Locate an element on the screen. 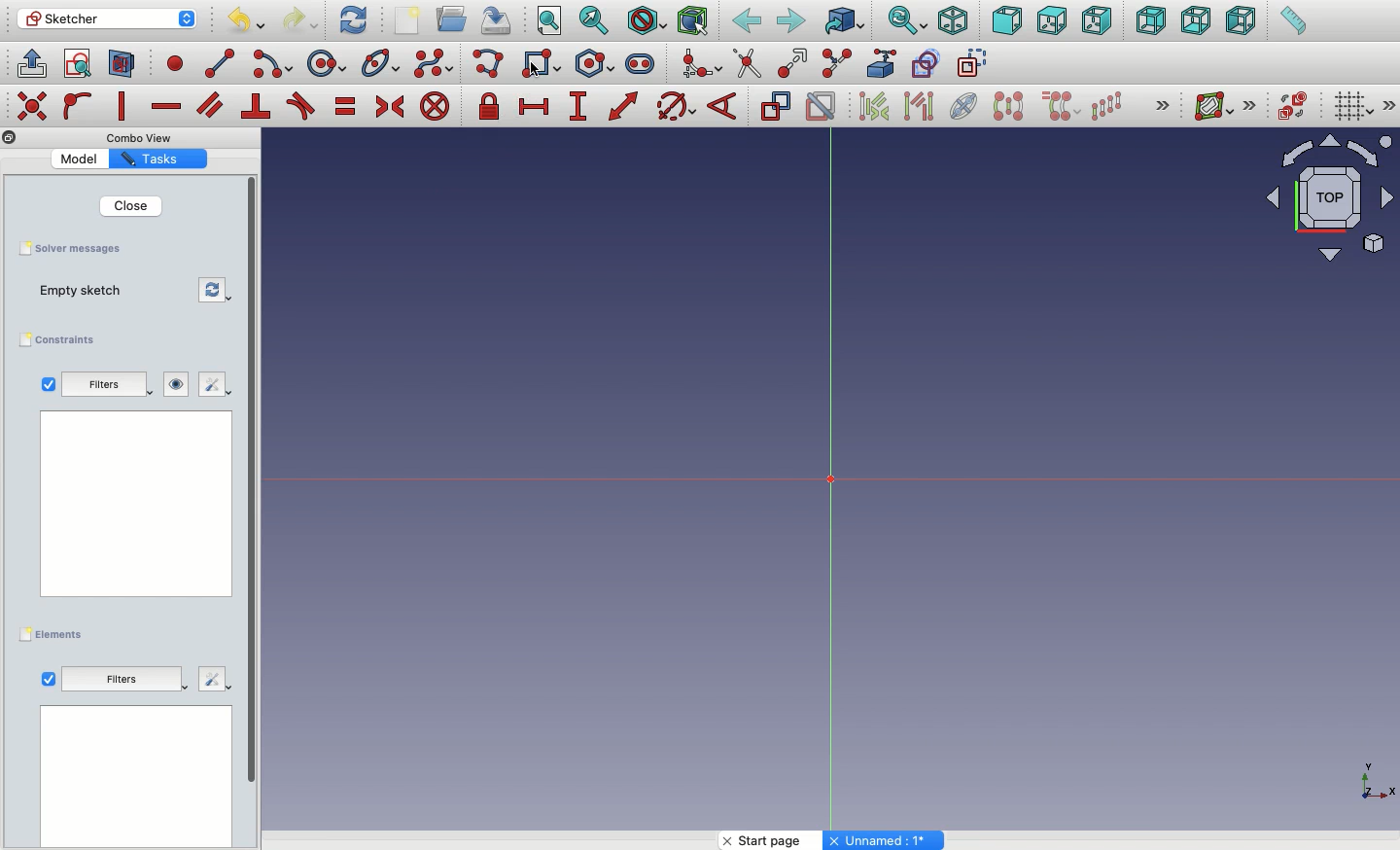 The width and height of the screenshot is (1400, 850). Create B-spline is located at coordinates (434, 62).